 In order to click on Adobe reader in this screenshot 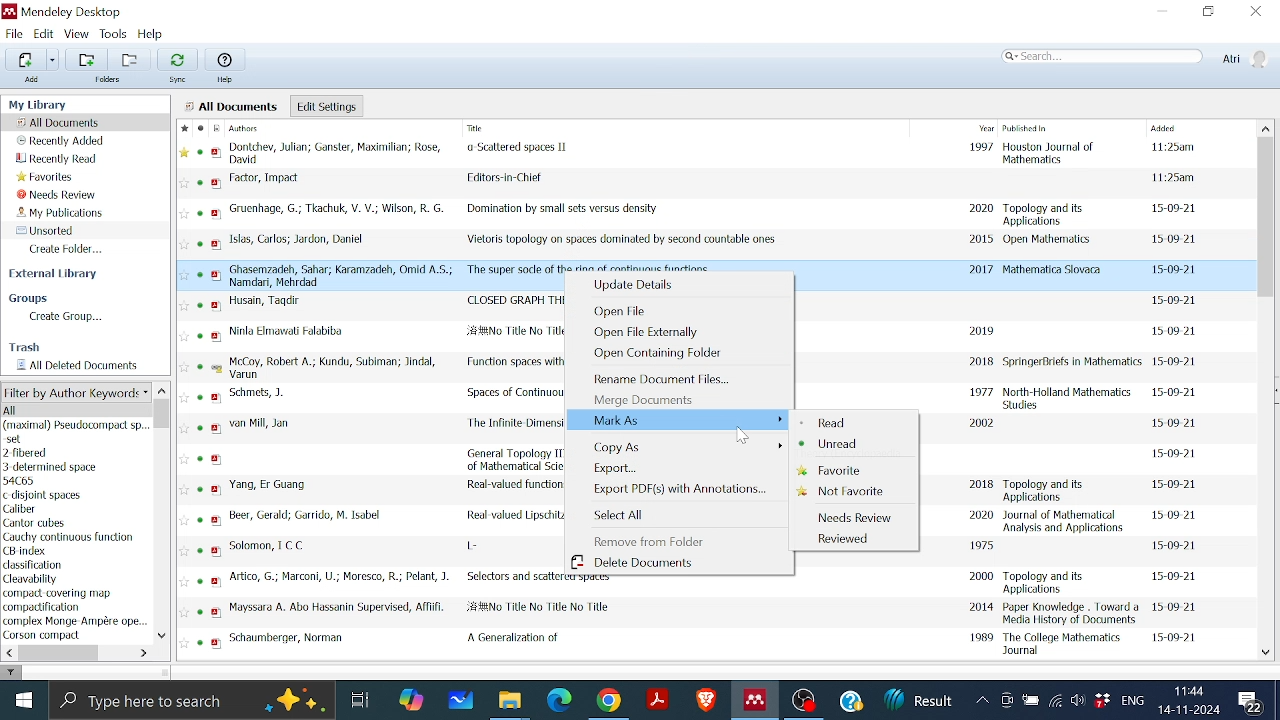, I will do `click(658, 700)`.